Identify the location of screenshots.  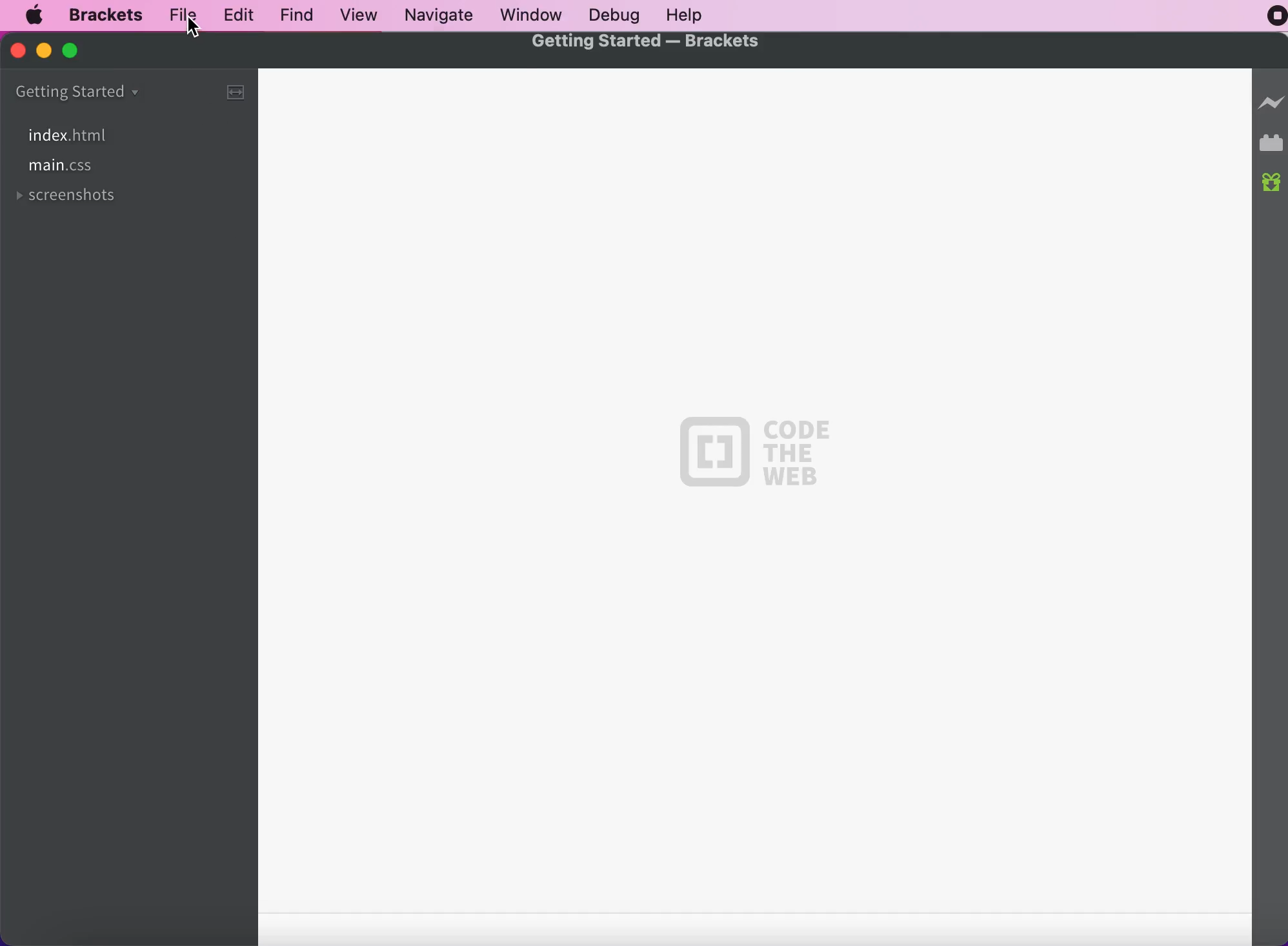
(72, 199).